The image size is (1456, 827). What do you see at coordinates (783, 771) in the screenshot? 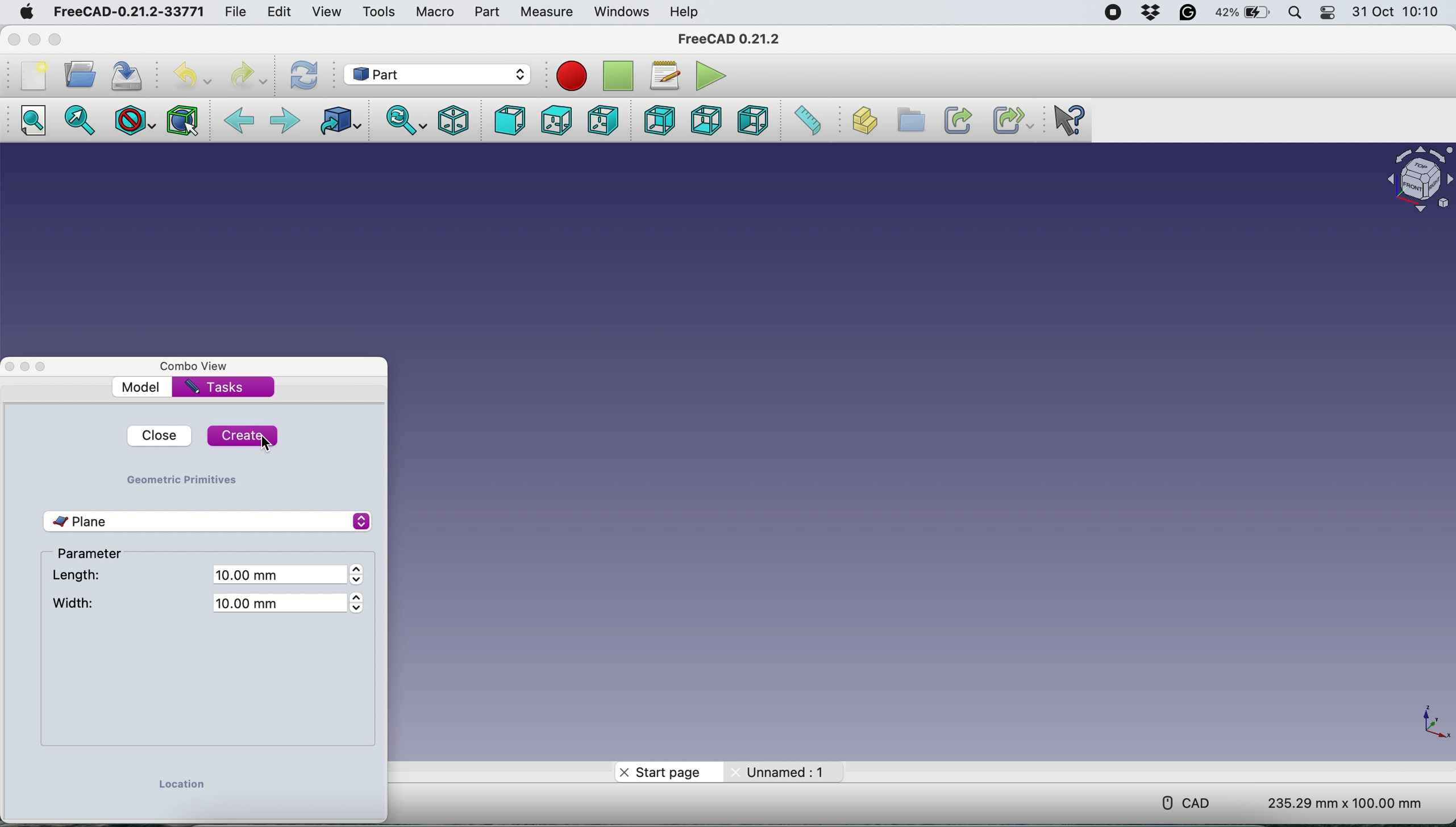
I see `Unnamed : 1` at bounding box center [783, 771].